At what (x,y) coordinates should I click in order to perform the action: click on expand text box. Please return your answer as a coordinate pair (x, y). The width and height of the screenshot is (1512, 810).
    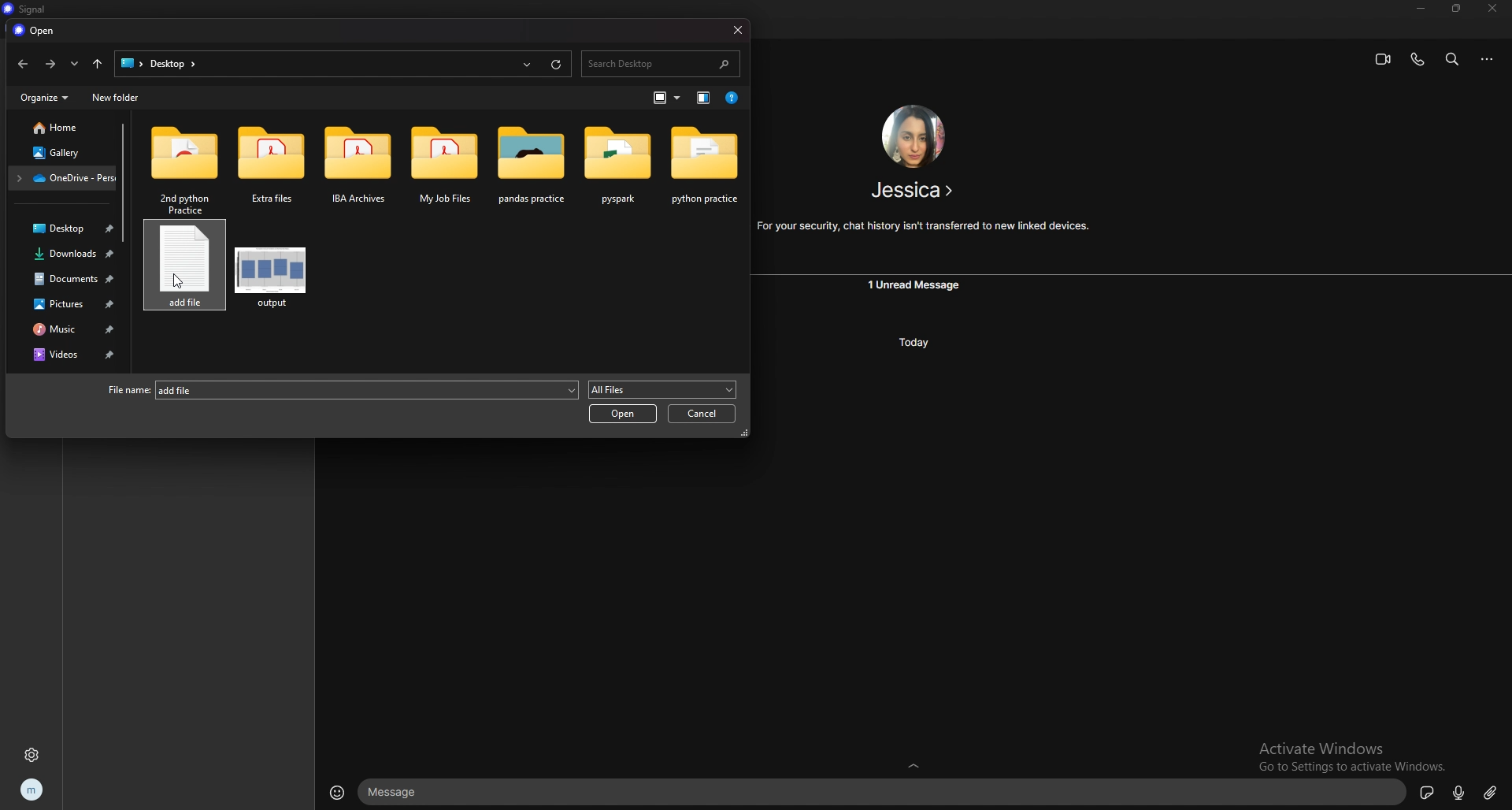
    Looking at the image, I should click on (913, 764).